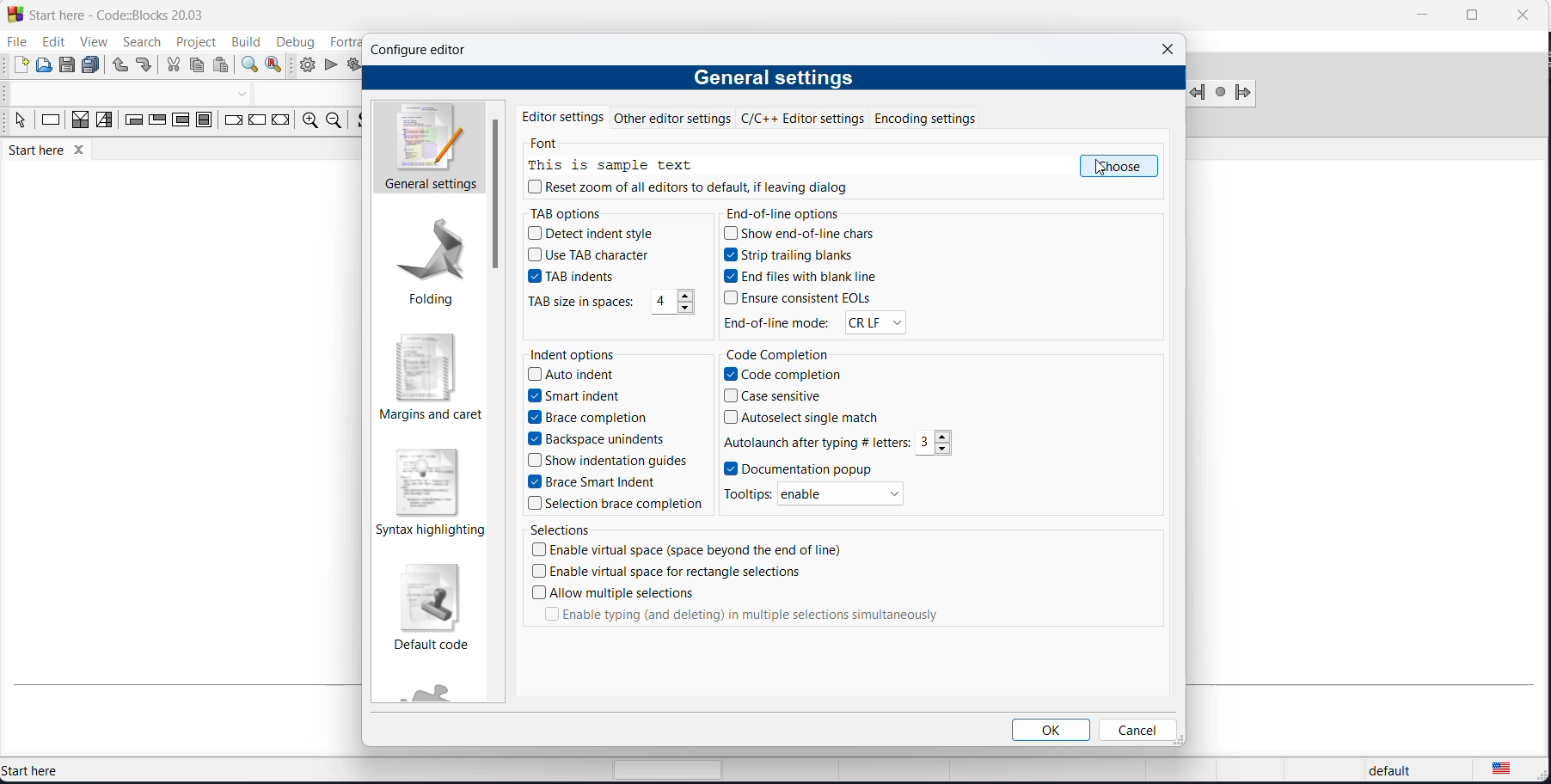 This screenshot has width=1551, height=784. Describe the element at coordinates (596, 439) in the screenshot. I see `backspace unindents` at that location.